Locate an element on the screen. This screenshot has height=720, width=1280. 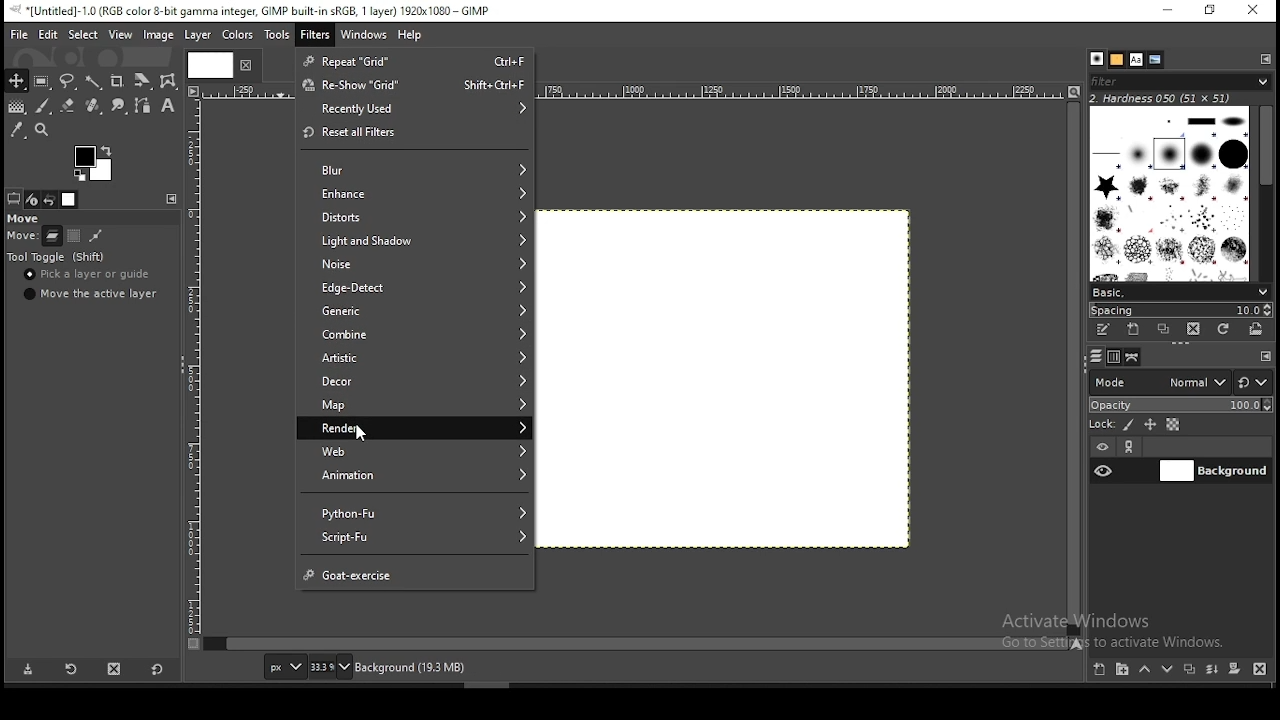
move tool is located at coordinates (16, 80).